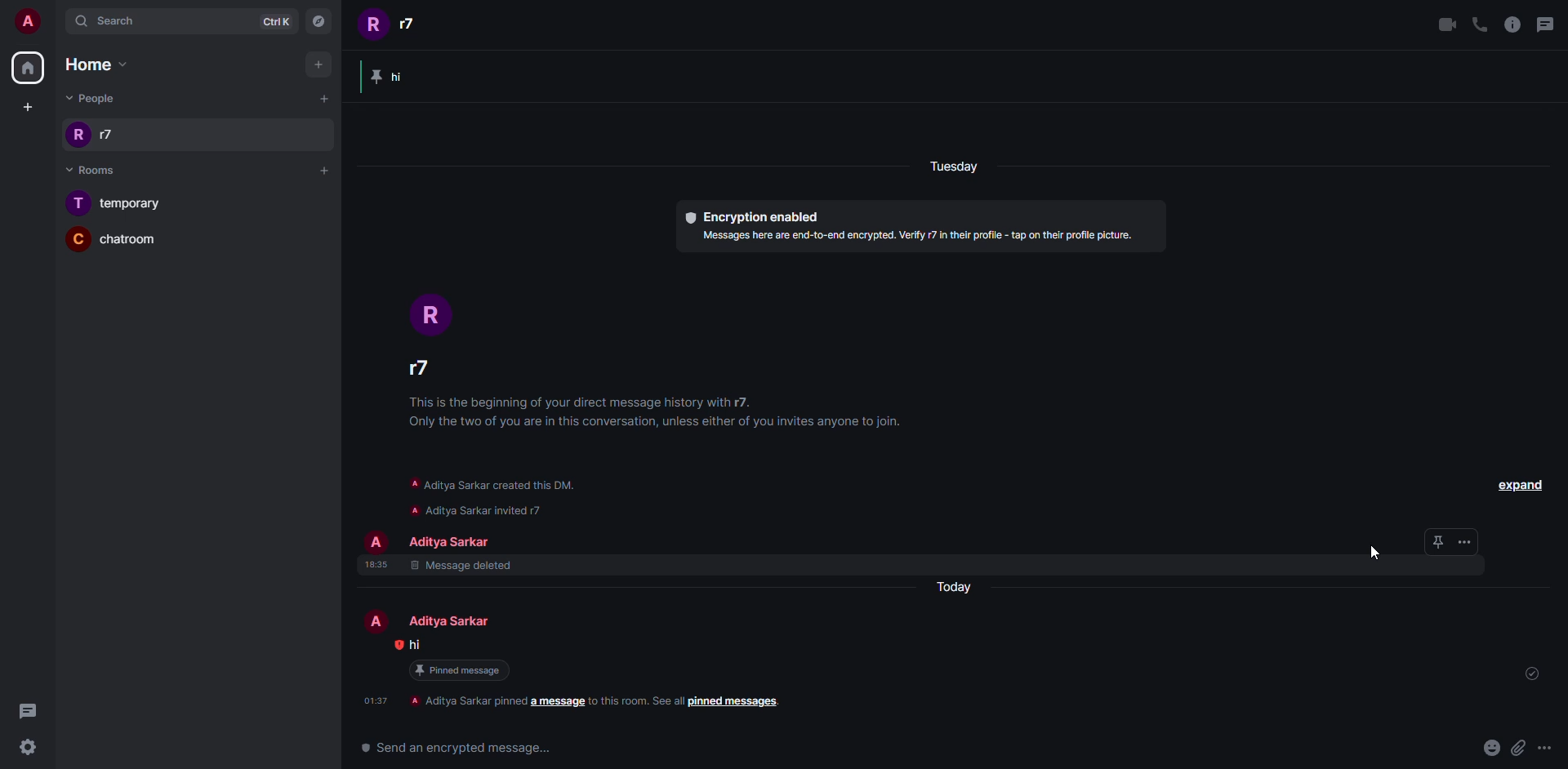 This screenshot has width=1568, height=769. What do you see at coordinates (453, 620) in the screenshot?
I see `people` at bounding box center [453, 620].